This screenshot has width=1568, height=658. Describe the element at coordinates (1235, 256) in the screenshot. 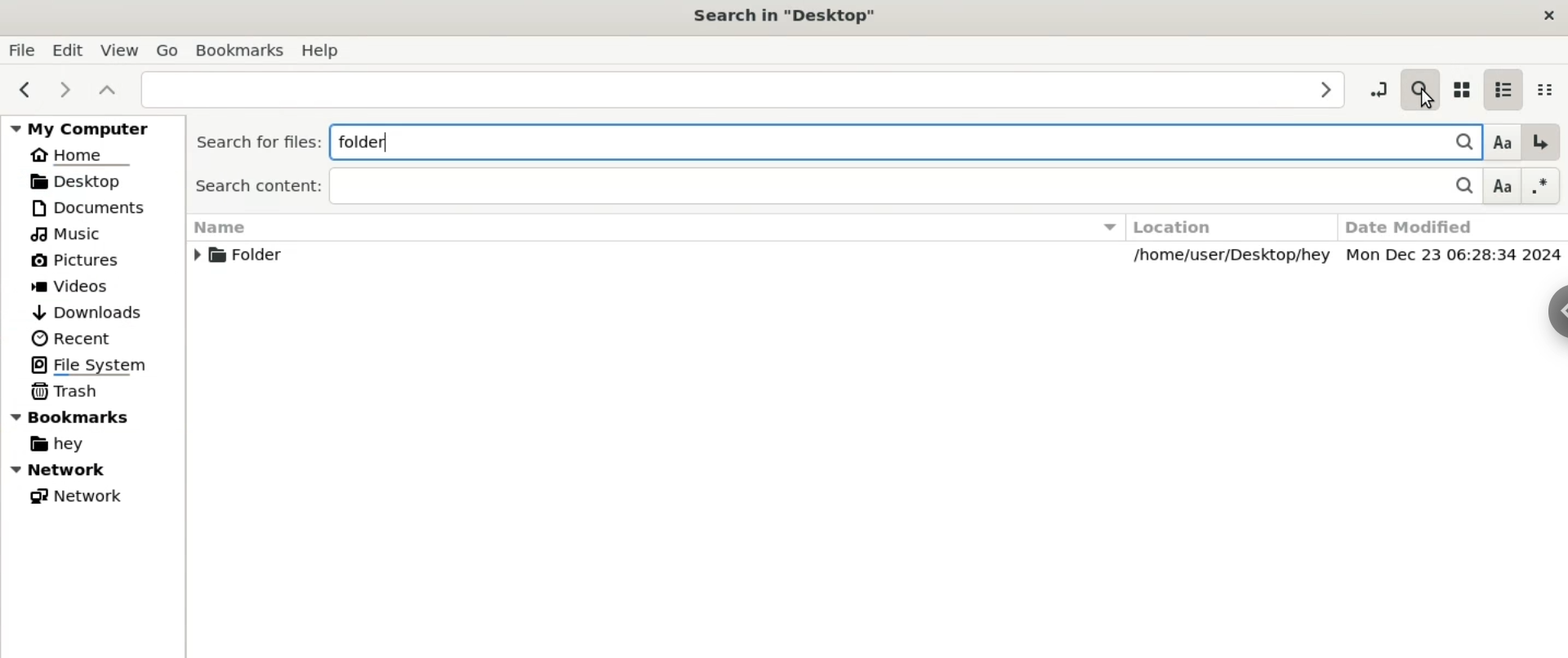

I see `/home/user/Desktop/hey` at that location.